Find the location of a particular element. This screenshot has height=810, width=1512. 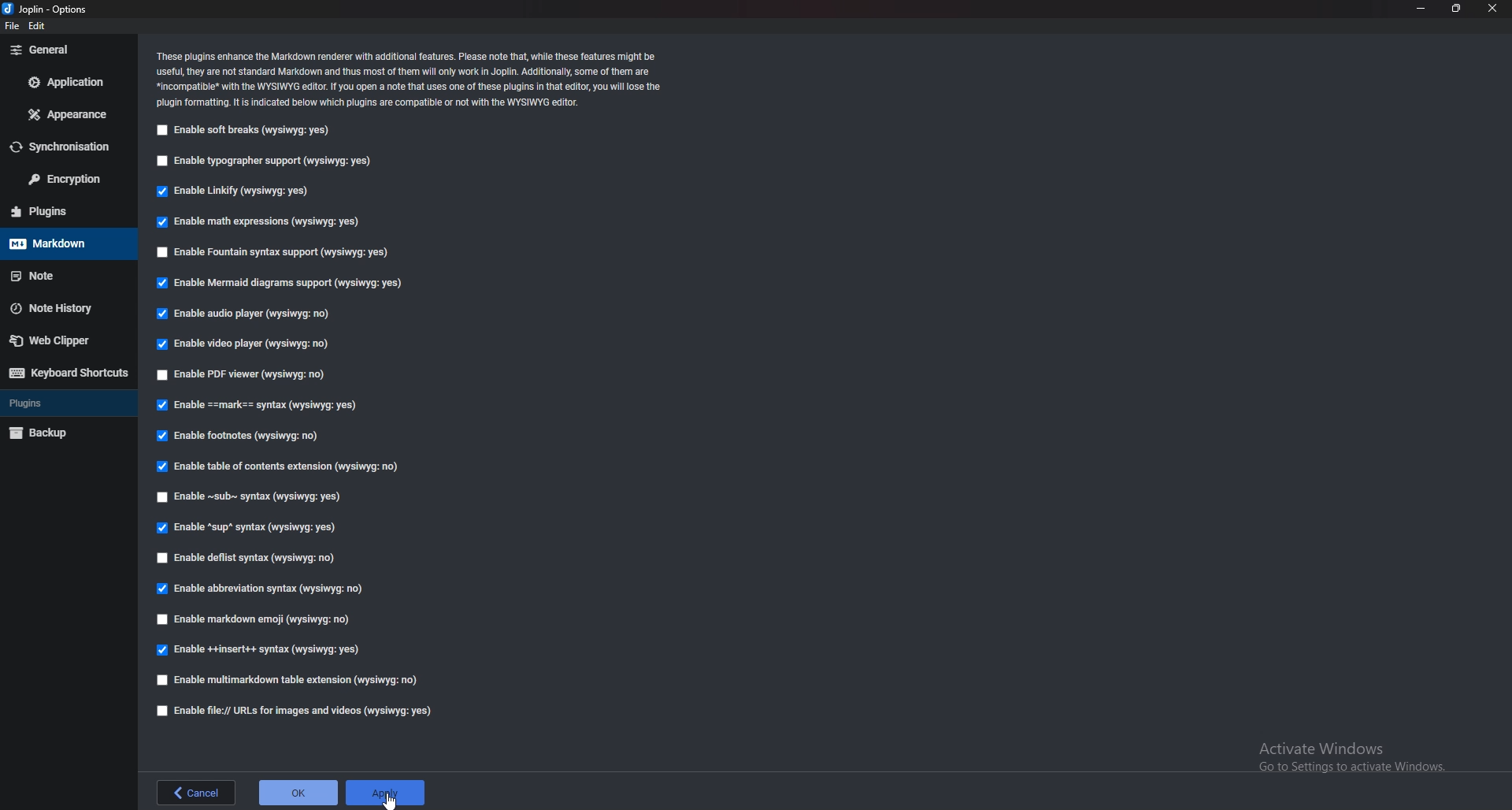

Enable multi markdown table extension is located at coordinates (289, 680).